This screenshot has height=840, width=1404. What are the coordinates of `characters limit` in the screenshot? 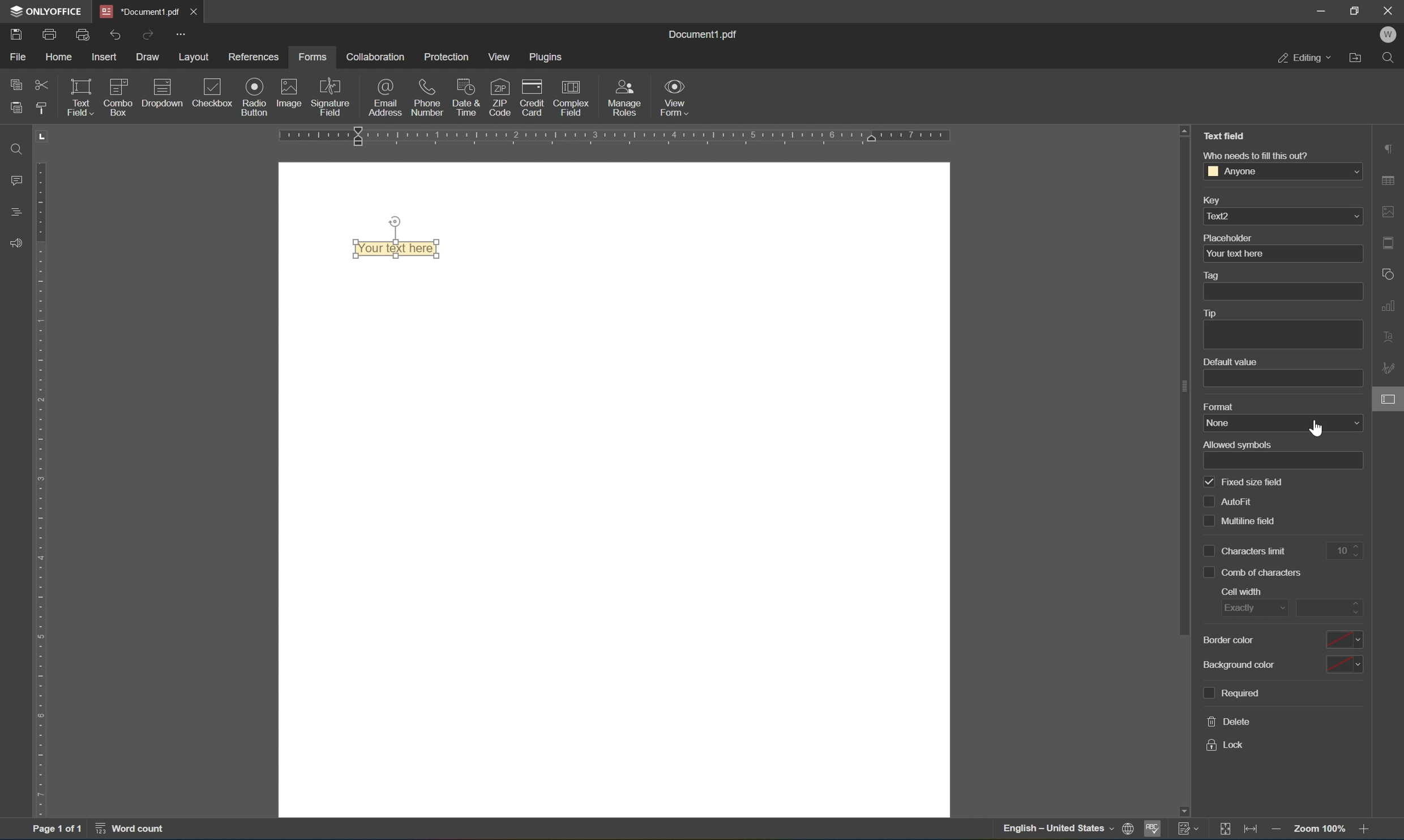 It's located at (1241, 550).